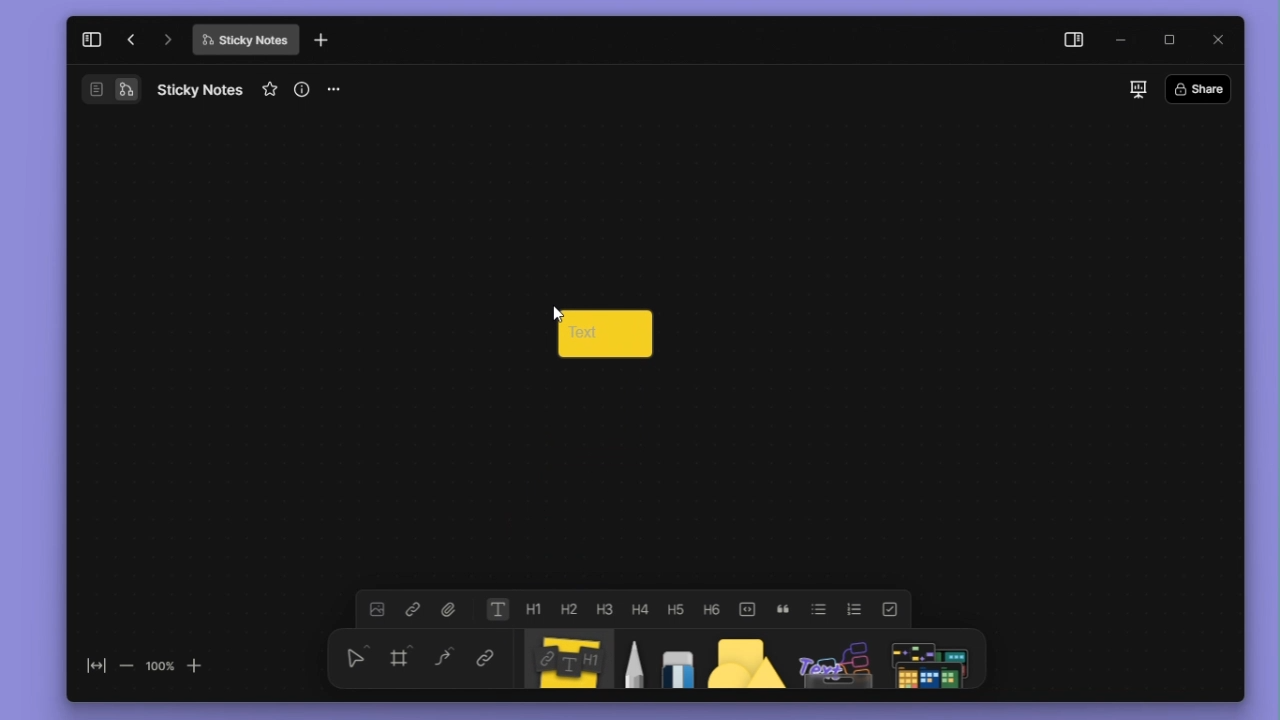 This screenshot has height=720, width=1280. I want to click on link, so click(491, 658).